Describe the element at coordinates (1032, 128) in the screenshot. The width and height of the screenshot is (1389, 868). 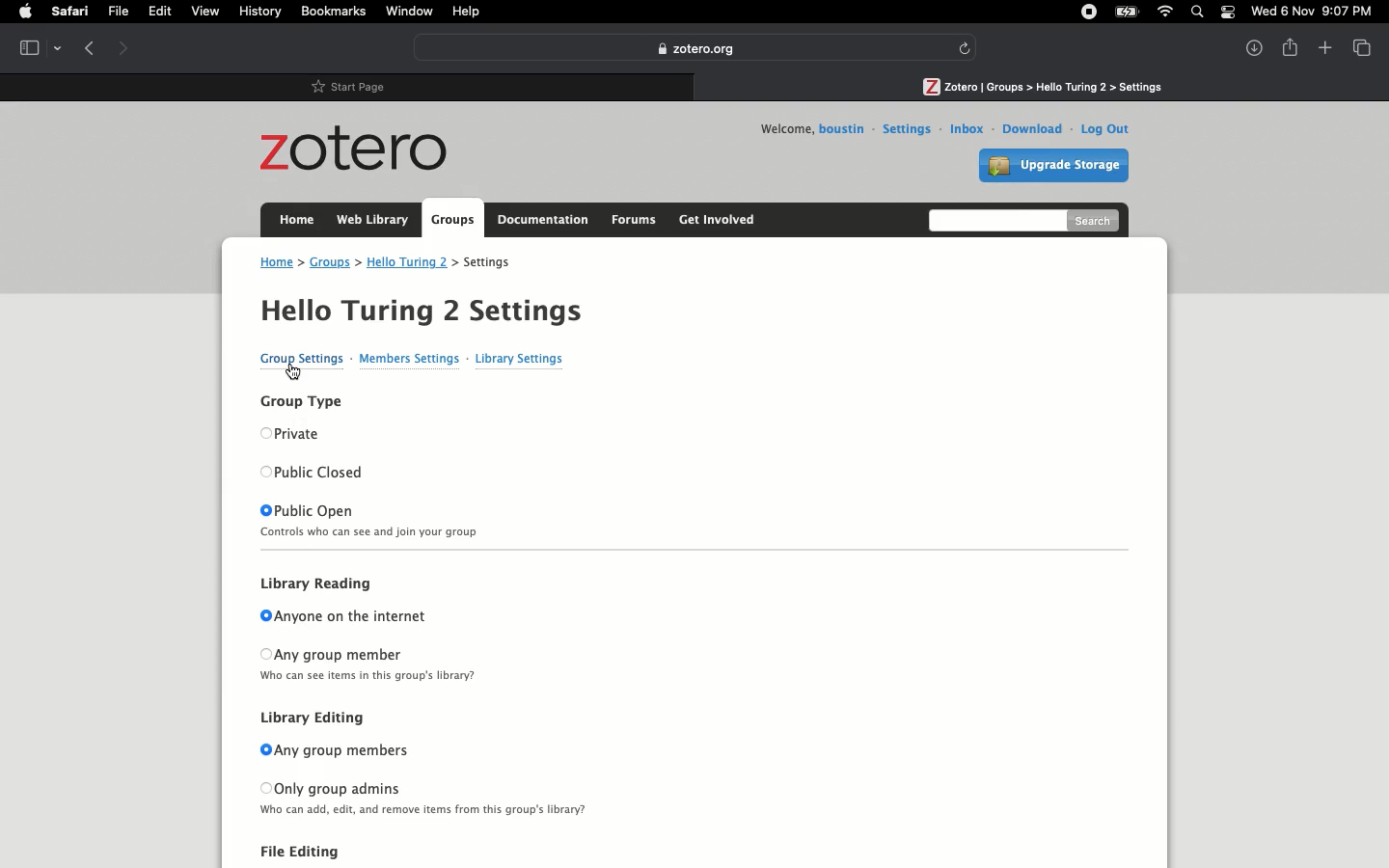
I see `Download` at that location.